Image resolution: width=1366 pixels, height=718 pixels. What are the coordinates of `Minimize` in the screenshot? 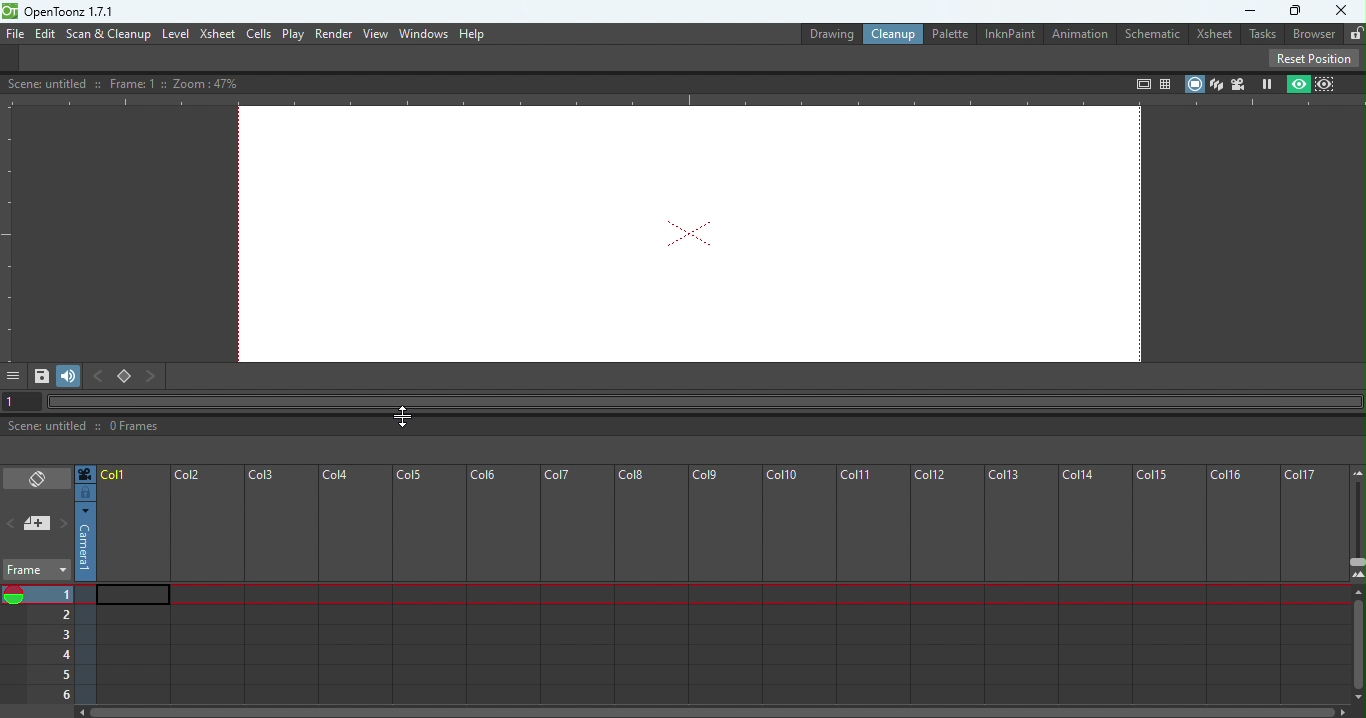 It's located at (1244, 11).